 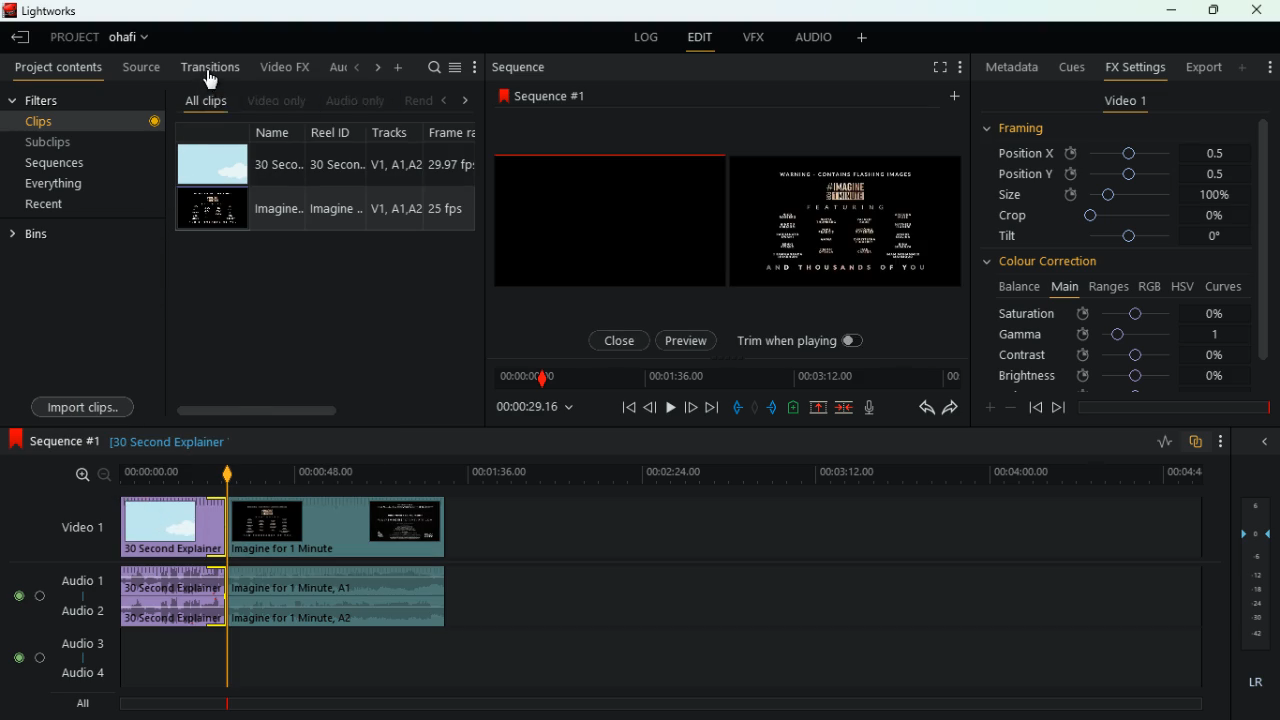 What do you see at coordinates (1116, 313) in the screenshot?
I see `saturation` at bounding box center [1116, 313].